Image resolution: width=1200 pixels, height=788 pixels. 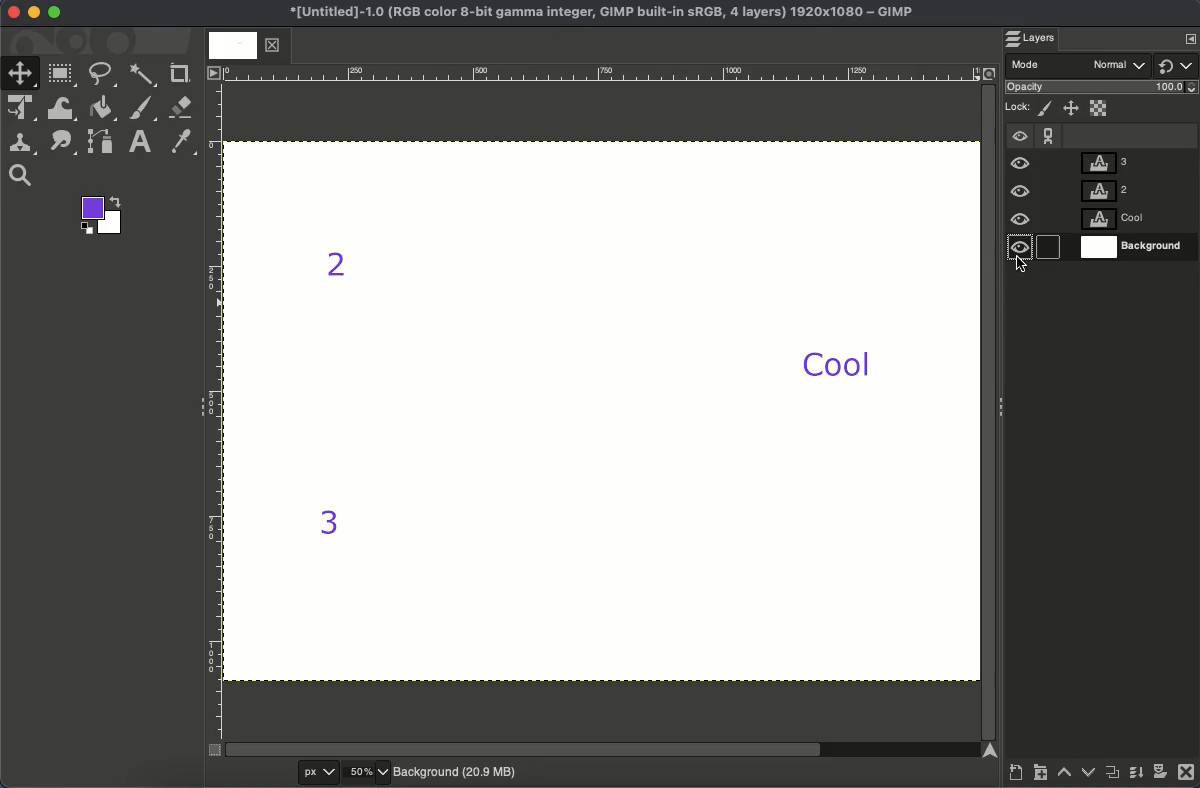 What do you see at coordinates (1072, 110) in the screenshot?
I see `Position and size` at bounding box center [1072, 110].